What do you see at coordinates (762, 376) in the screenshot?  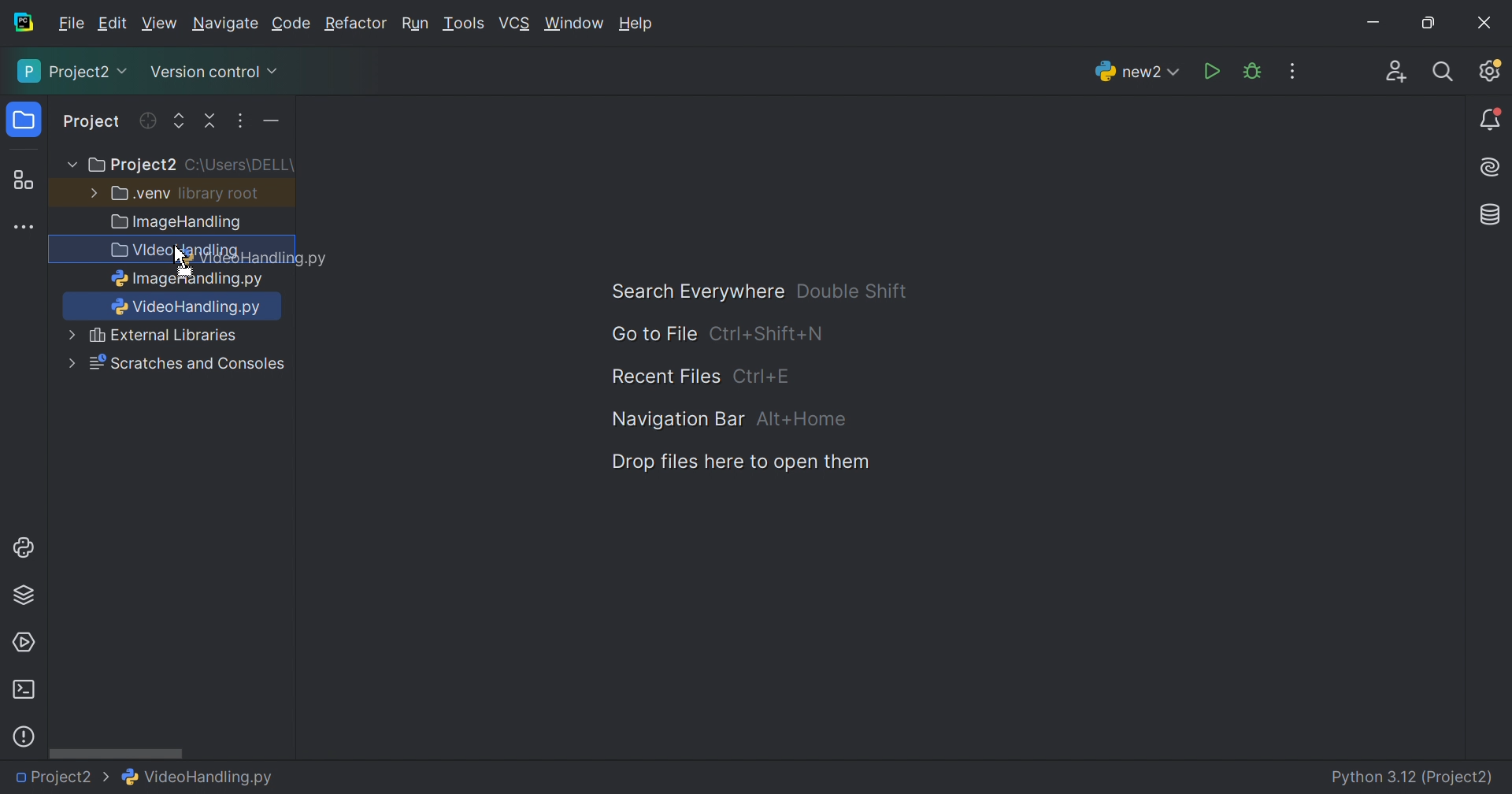 I see `Ctrl+E` at bounding box center [762, 376].